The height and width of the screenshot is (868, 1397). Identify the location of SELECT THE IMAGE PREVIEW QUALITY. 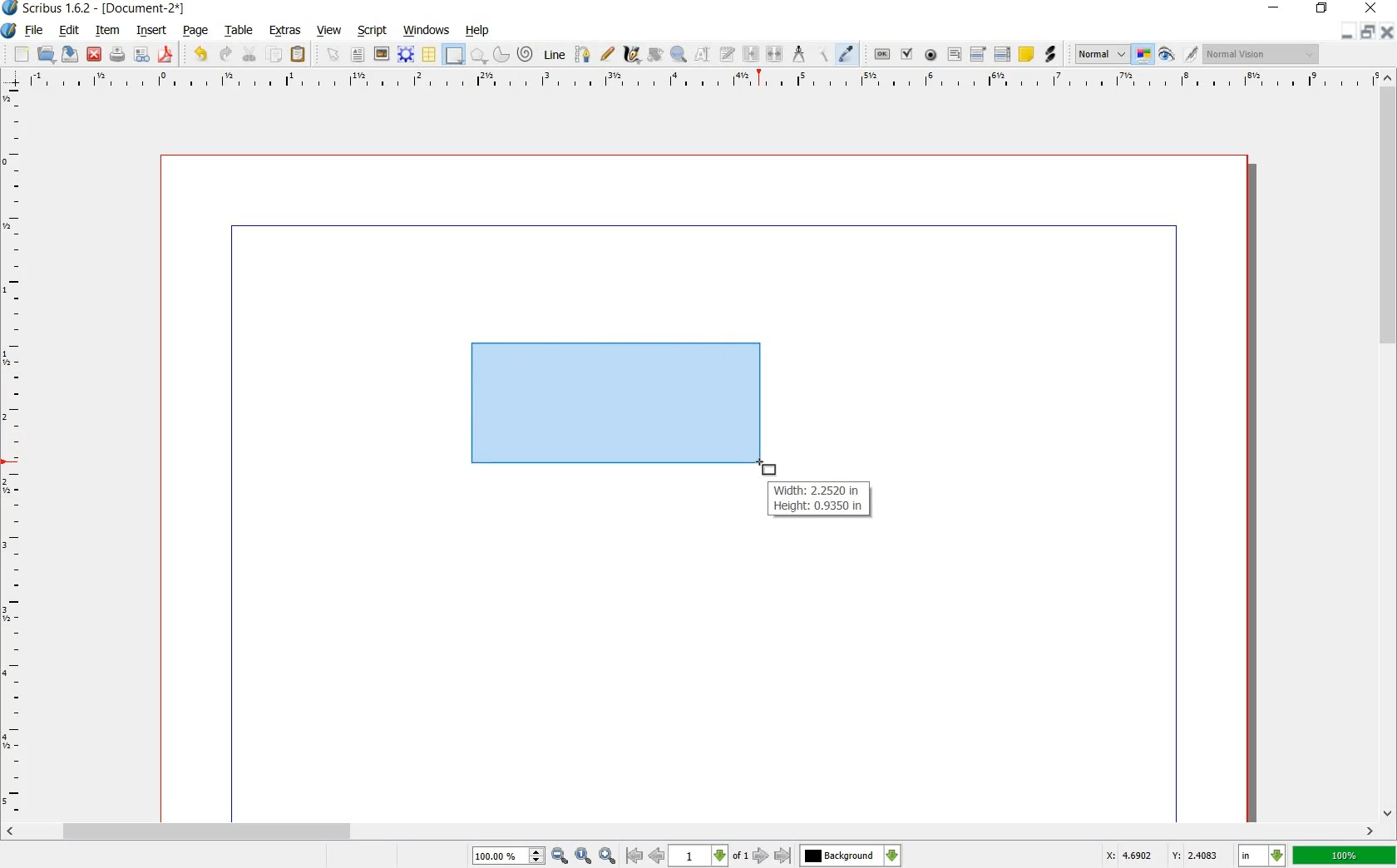
(1098, 54).